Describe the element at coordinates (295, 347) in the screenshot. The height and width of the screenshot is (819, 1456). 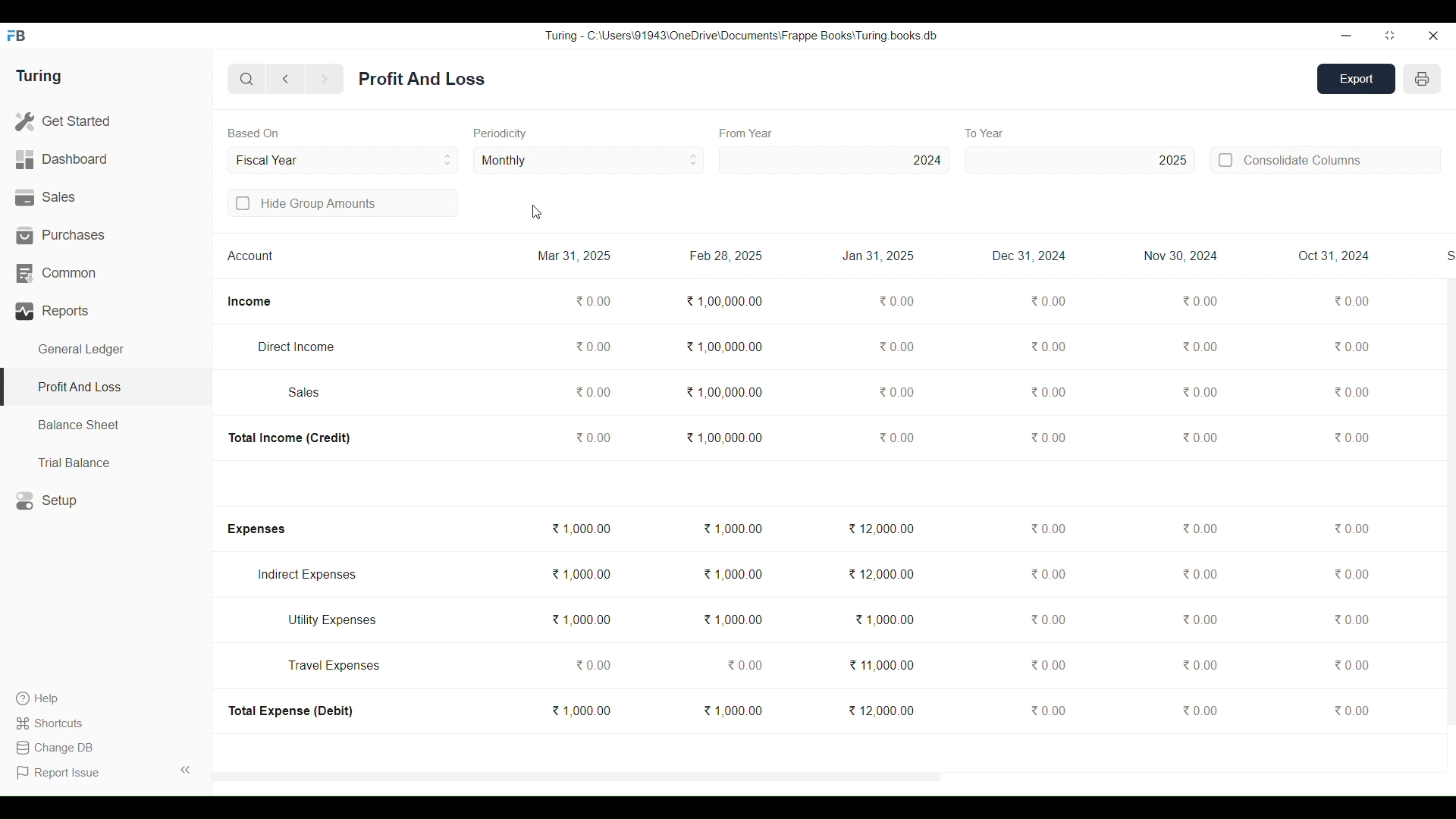
I see `Direct Income` at that location.